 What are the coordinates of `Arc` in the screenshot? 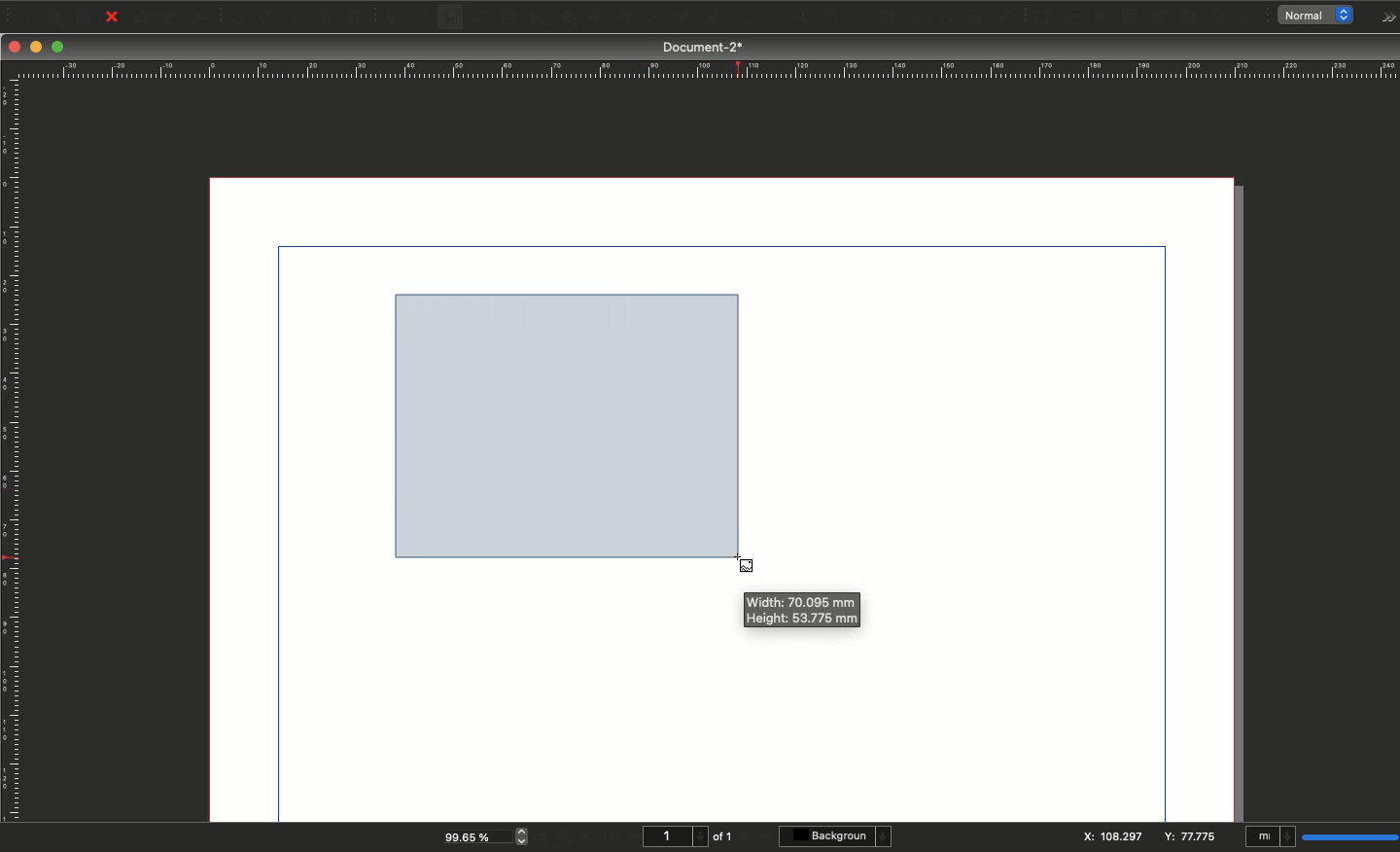 It's located at (595, 18).